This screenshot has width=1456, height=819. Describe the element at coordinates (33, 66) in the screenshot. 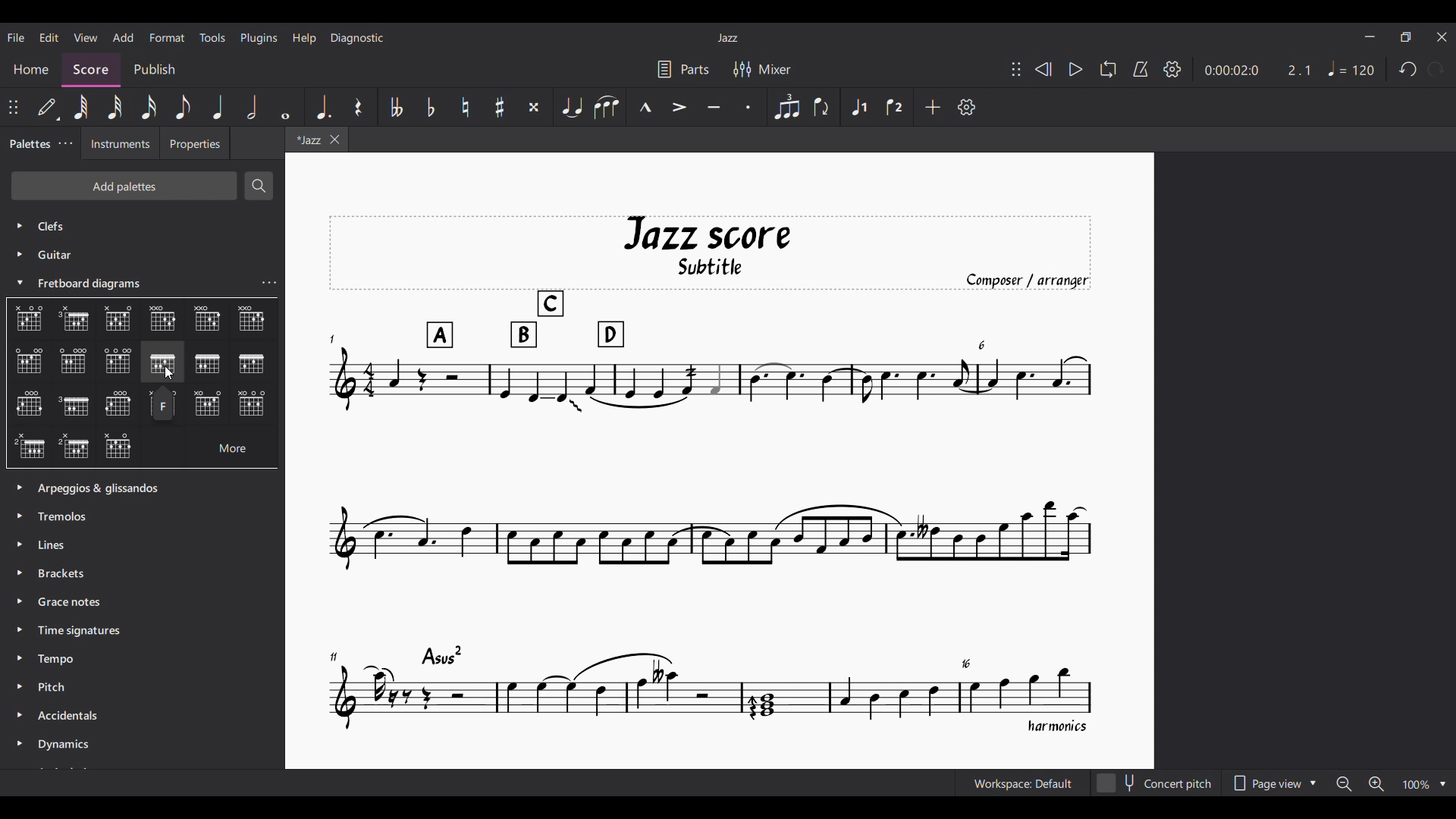

I see `Home` at that location.